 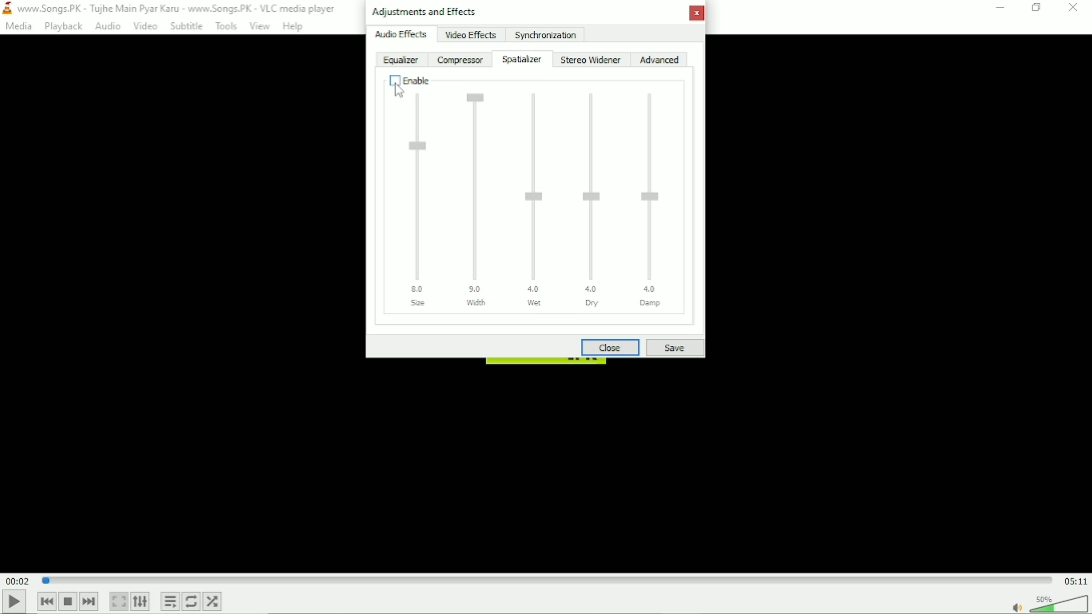 I want to click on Close, so click(x=697, y=13).